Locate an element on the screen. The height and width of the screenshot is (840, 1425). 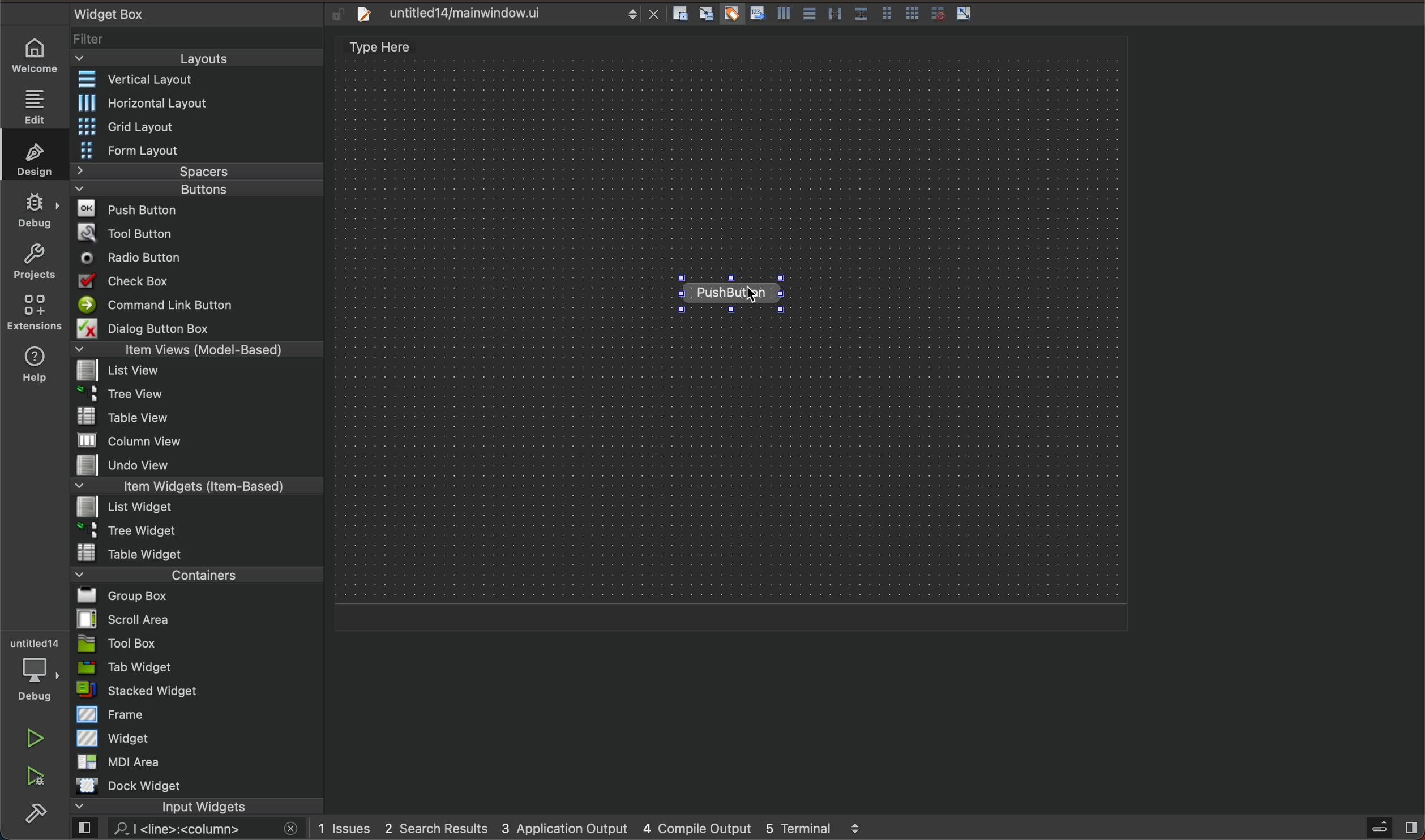
group box is located at coordinates (192, 599).